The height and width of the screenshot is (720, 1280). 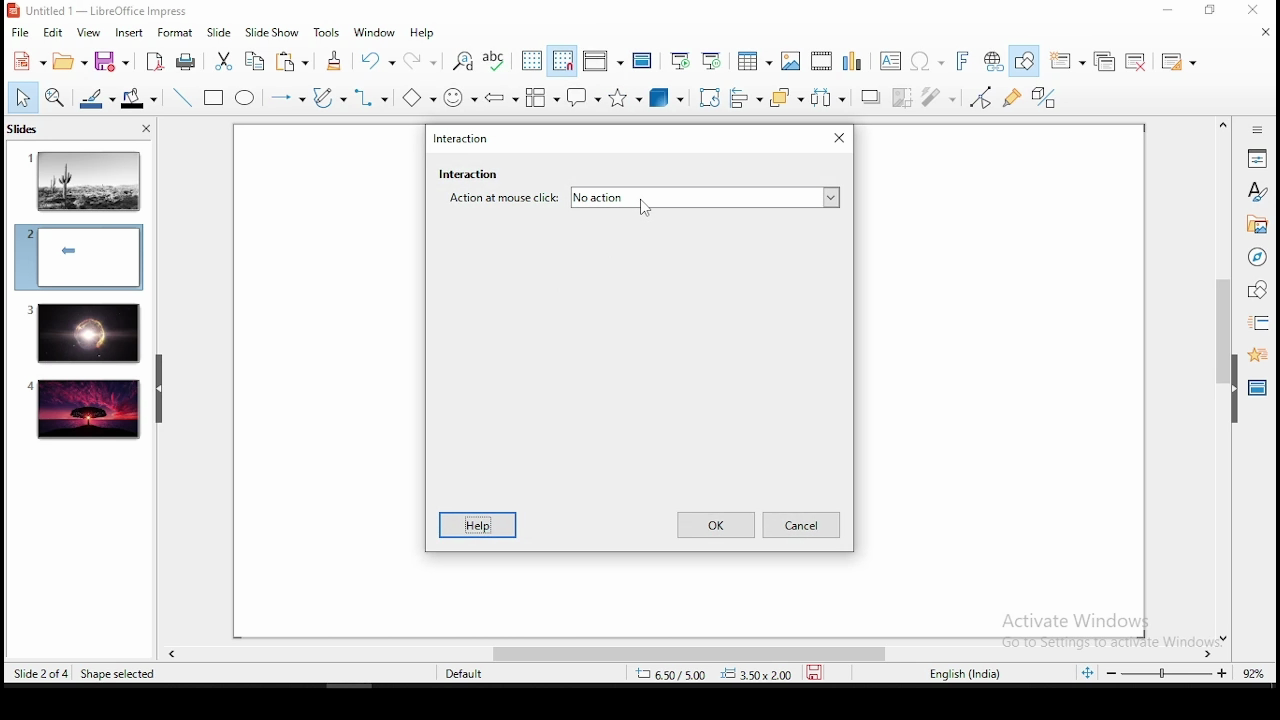 I want to click on tools, so click(x=328, y=33).